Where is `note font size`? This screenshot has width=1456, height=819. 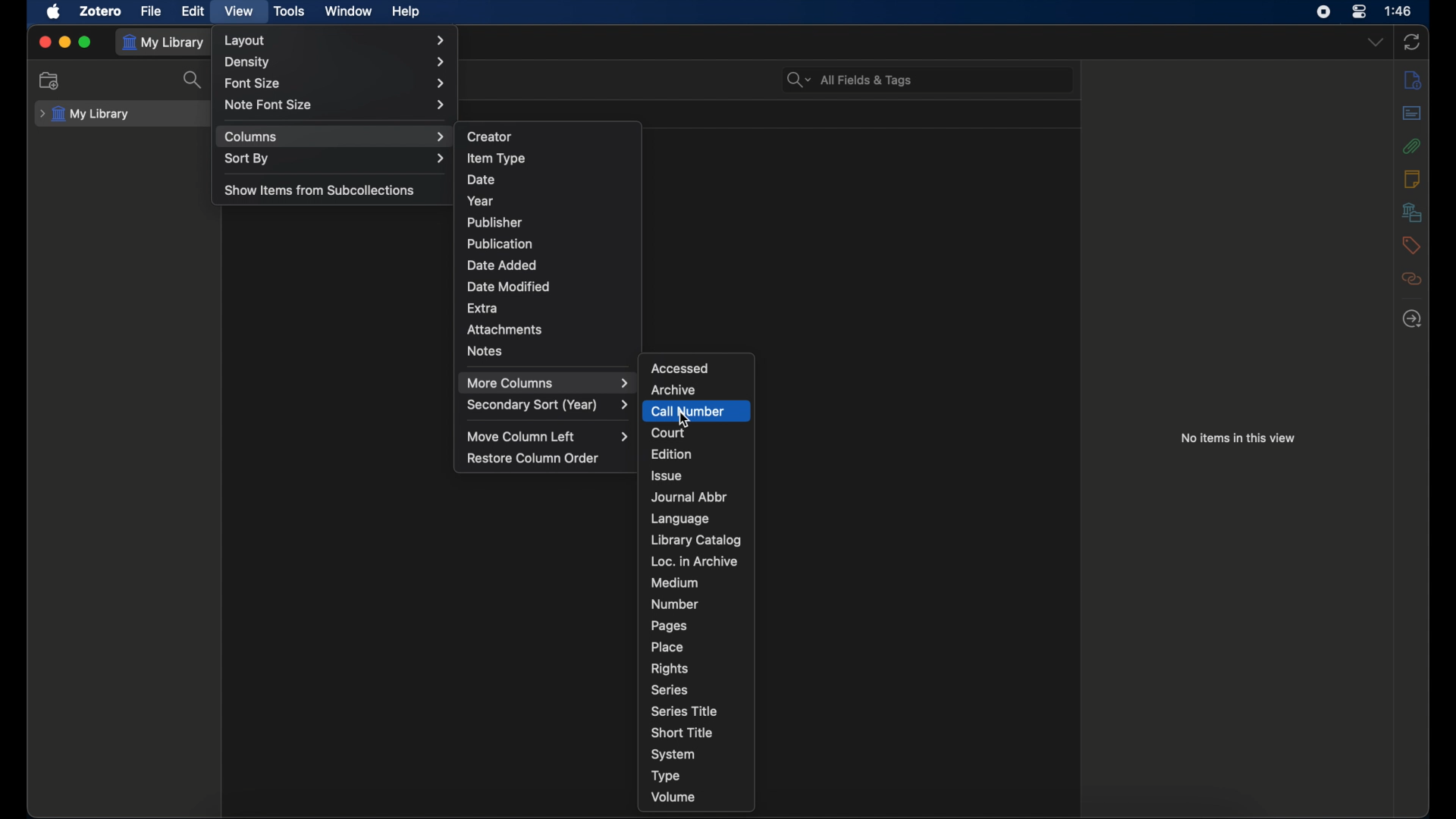 note font size is located at coordinates (336, 105).